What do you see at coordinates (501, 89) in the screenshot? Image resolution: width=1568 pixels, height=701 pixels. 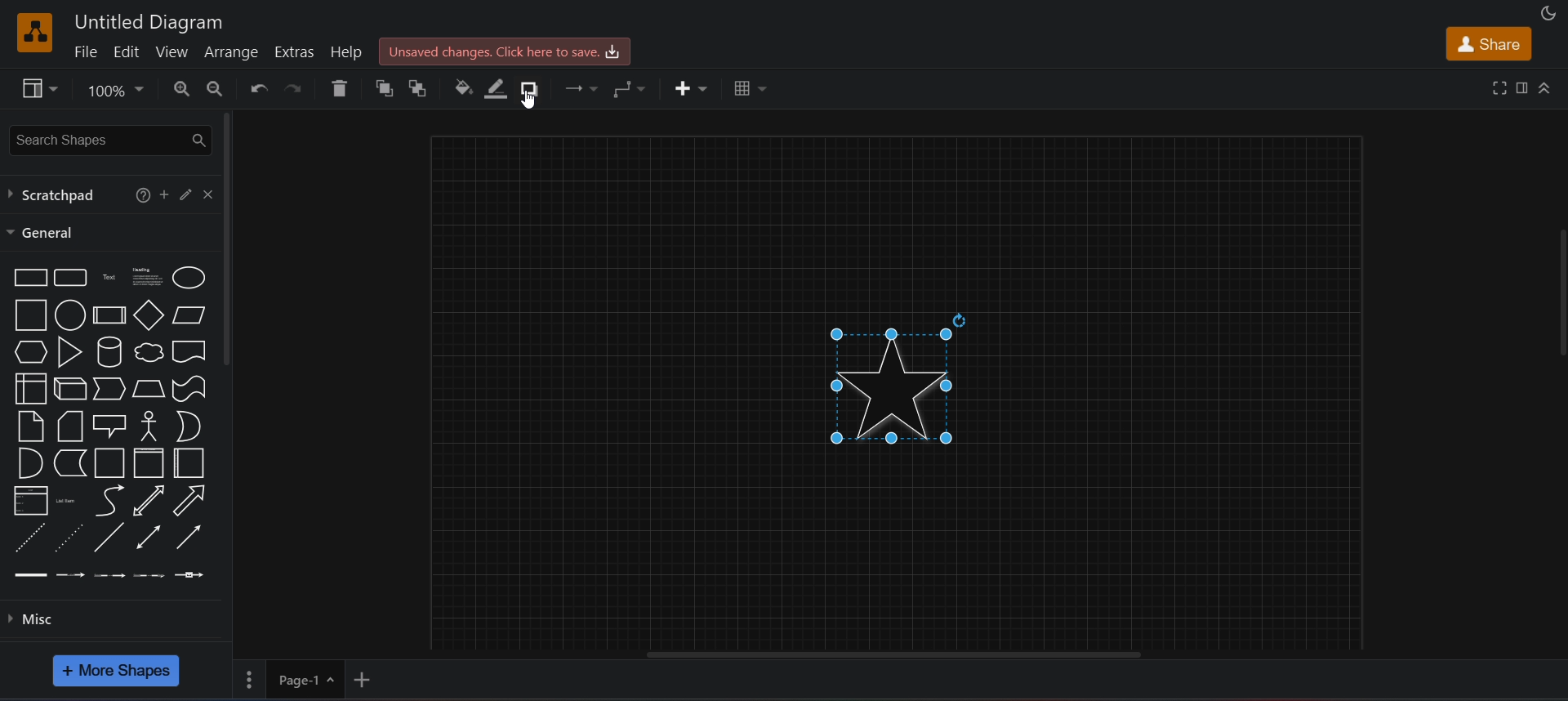 I see `line coloe` at bounding box center [501, 89].